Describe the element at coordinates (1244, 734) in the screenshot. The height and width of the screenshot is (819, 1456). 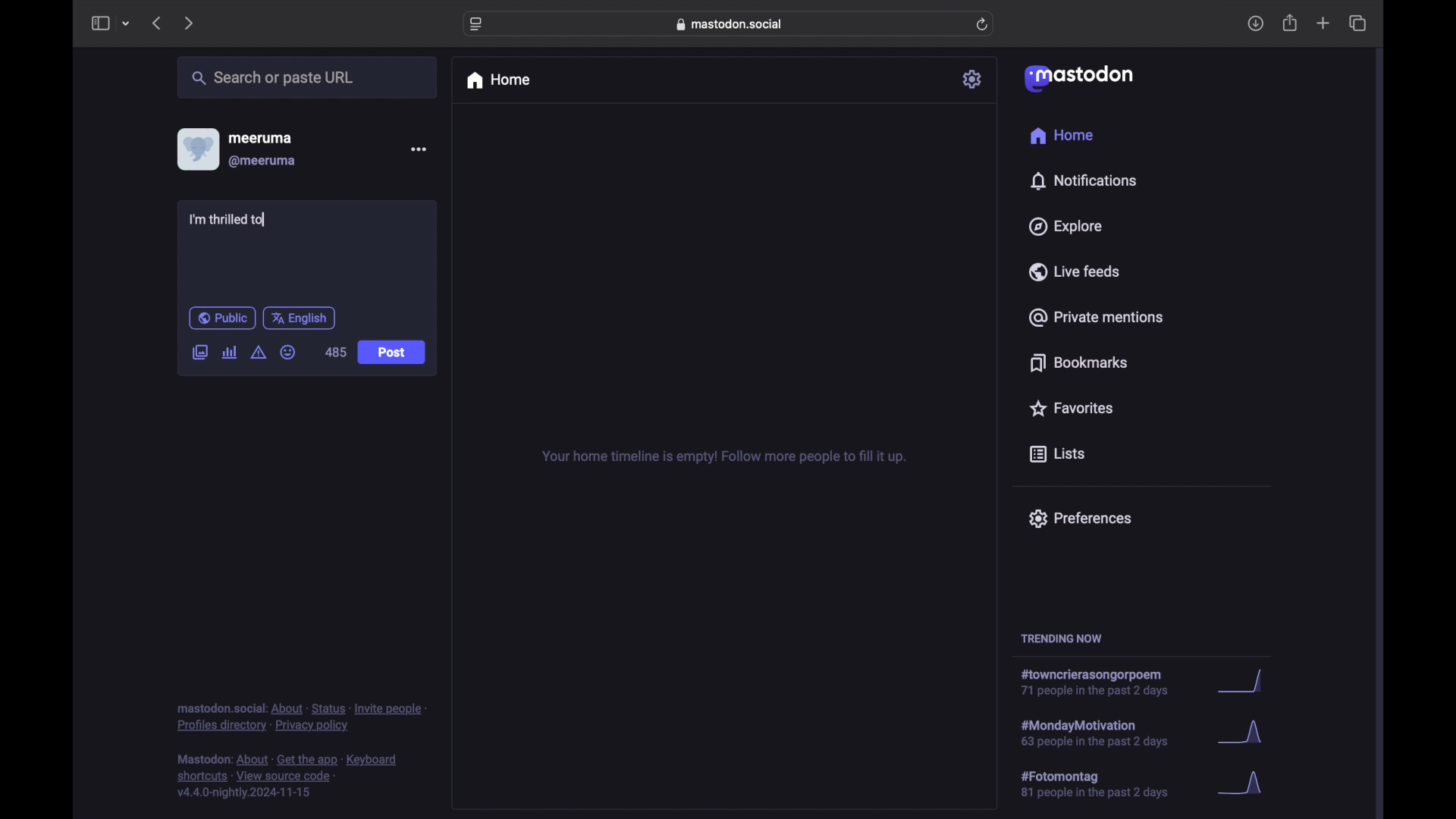
I see `graph` at that location.